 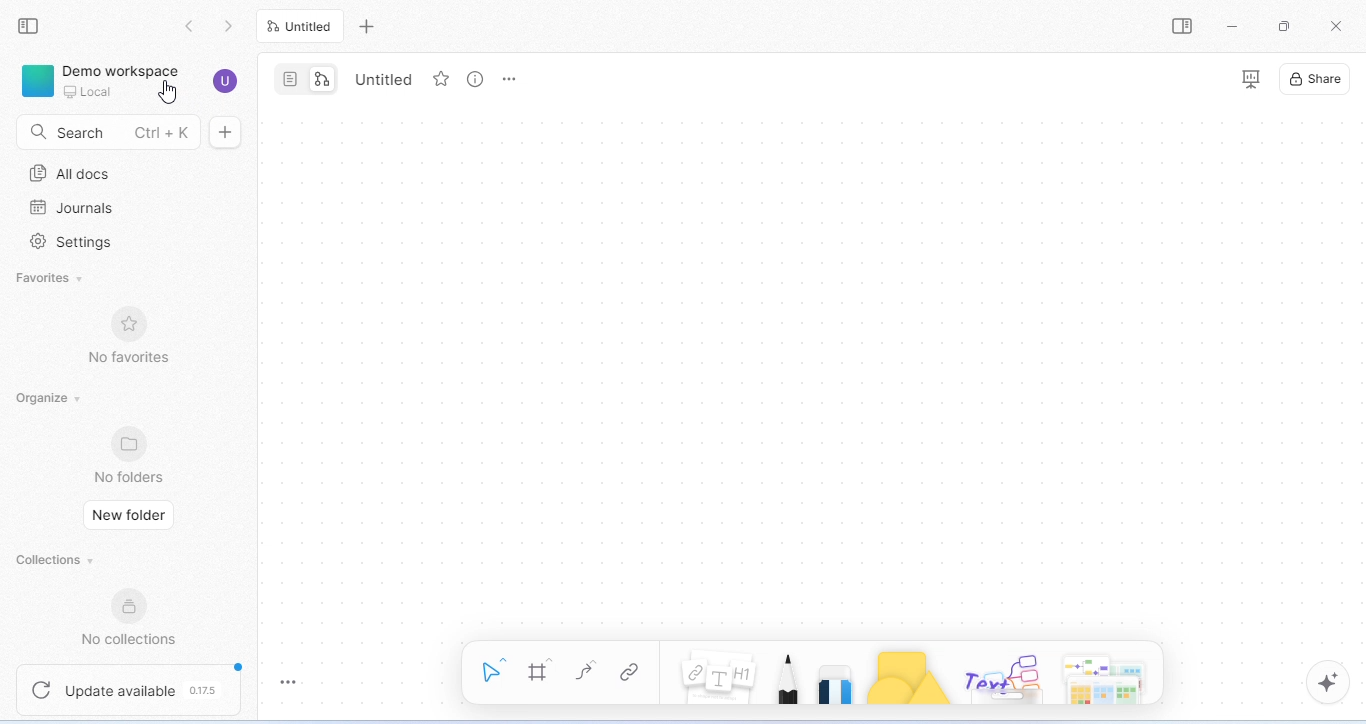 What do you see at coordinates (128, 337) in the screenshot?
I see `no favorites` at bounding box center [128, 337].